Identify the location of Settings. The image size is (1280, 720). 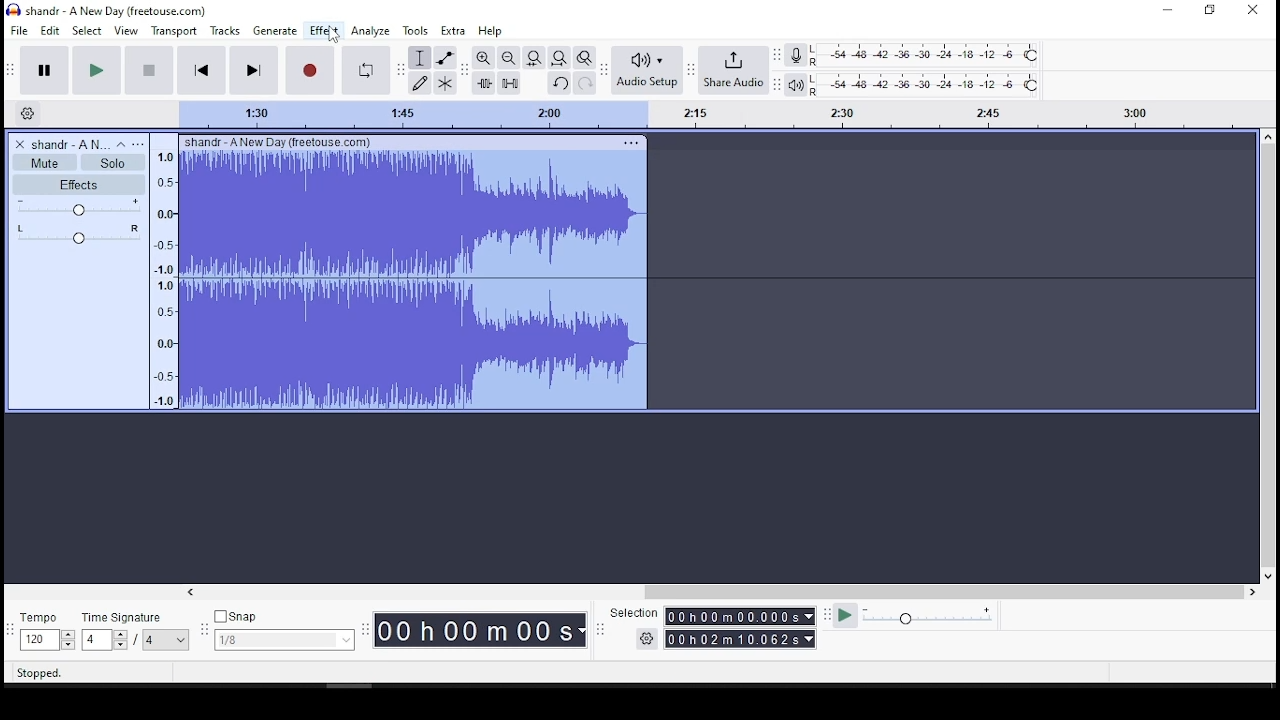
(29, 114).